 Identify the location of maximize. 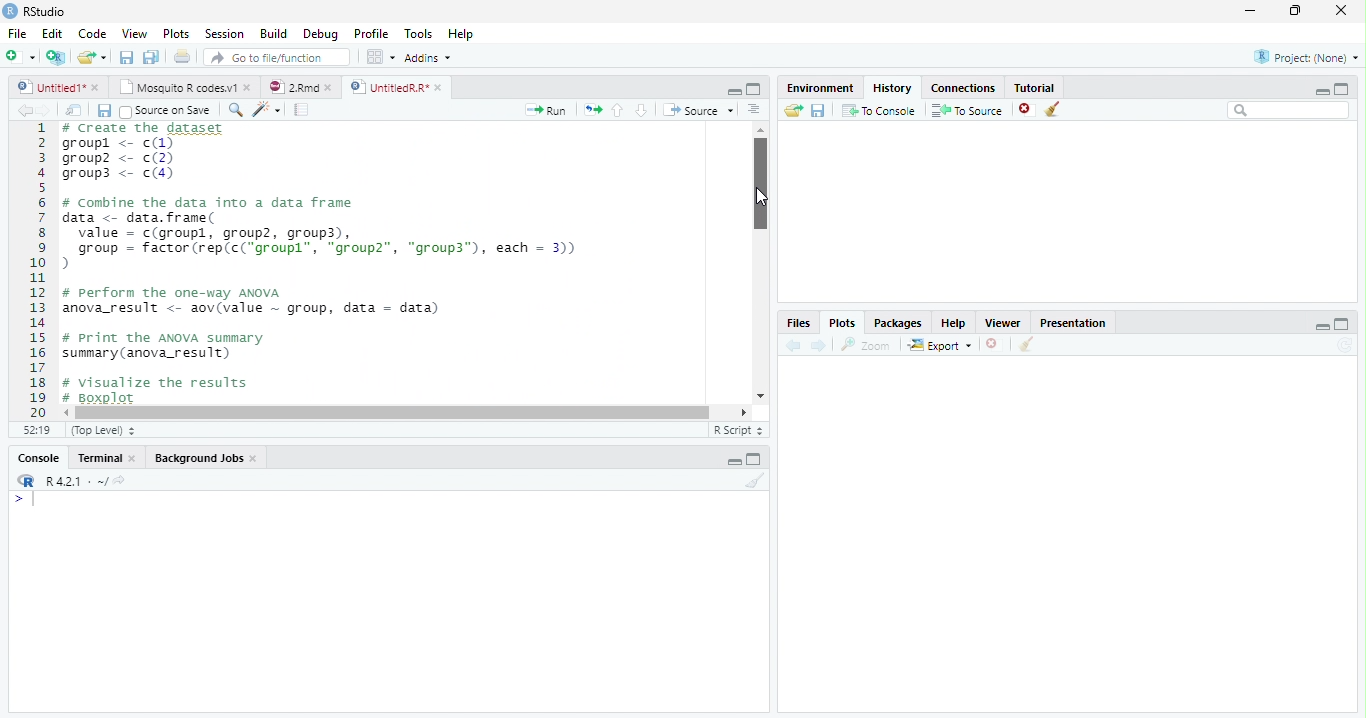
(1345, 88).